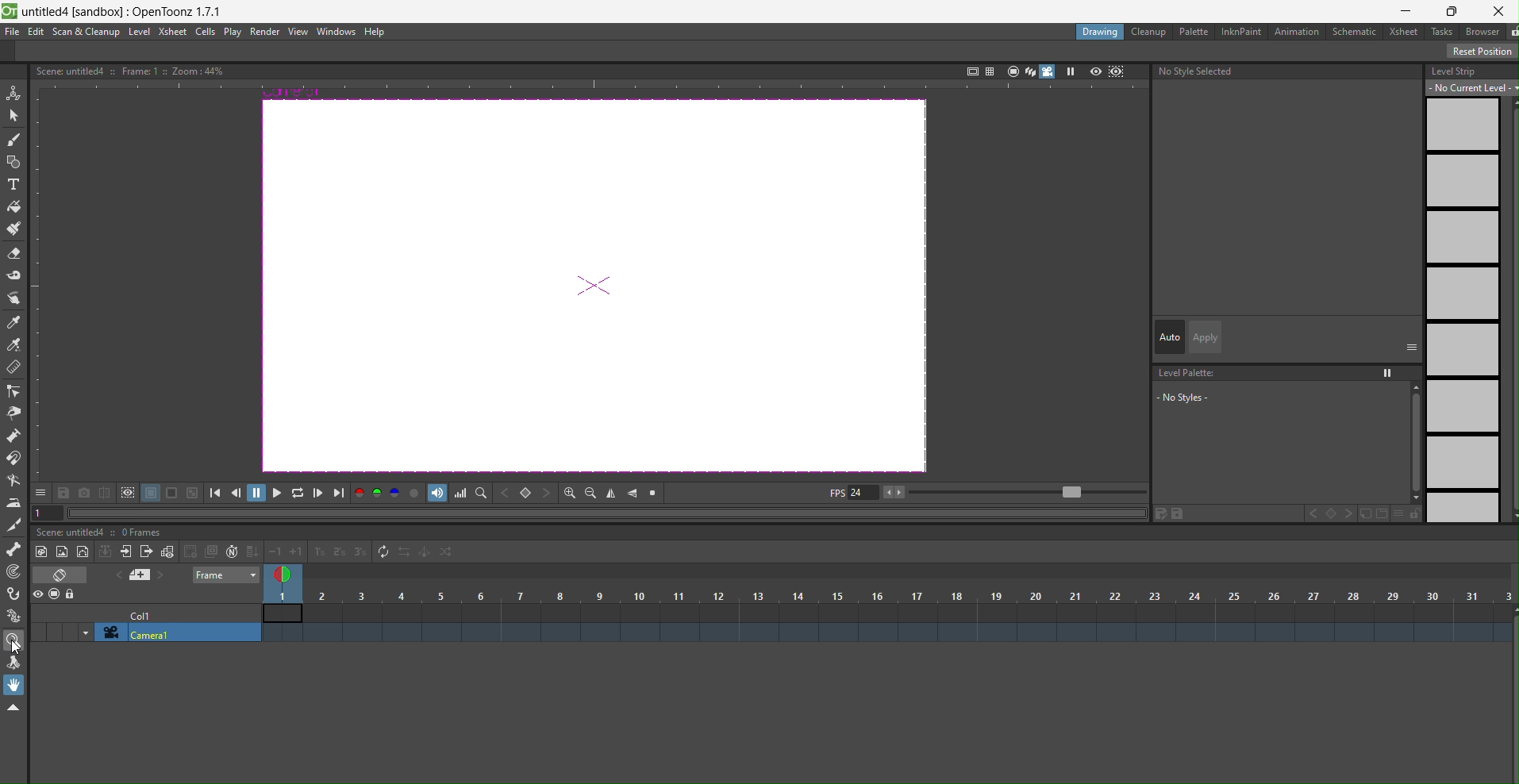 The height and width of the screenshot is (784, 1519). What do you see at coordinates (1073, 71) in the screenshot?
I see `play` at bounding box center [1073, 71].